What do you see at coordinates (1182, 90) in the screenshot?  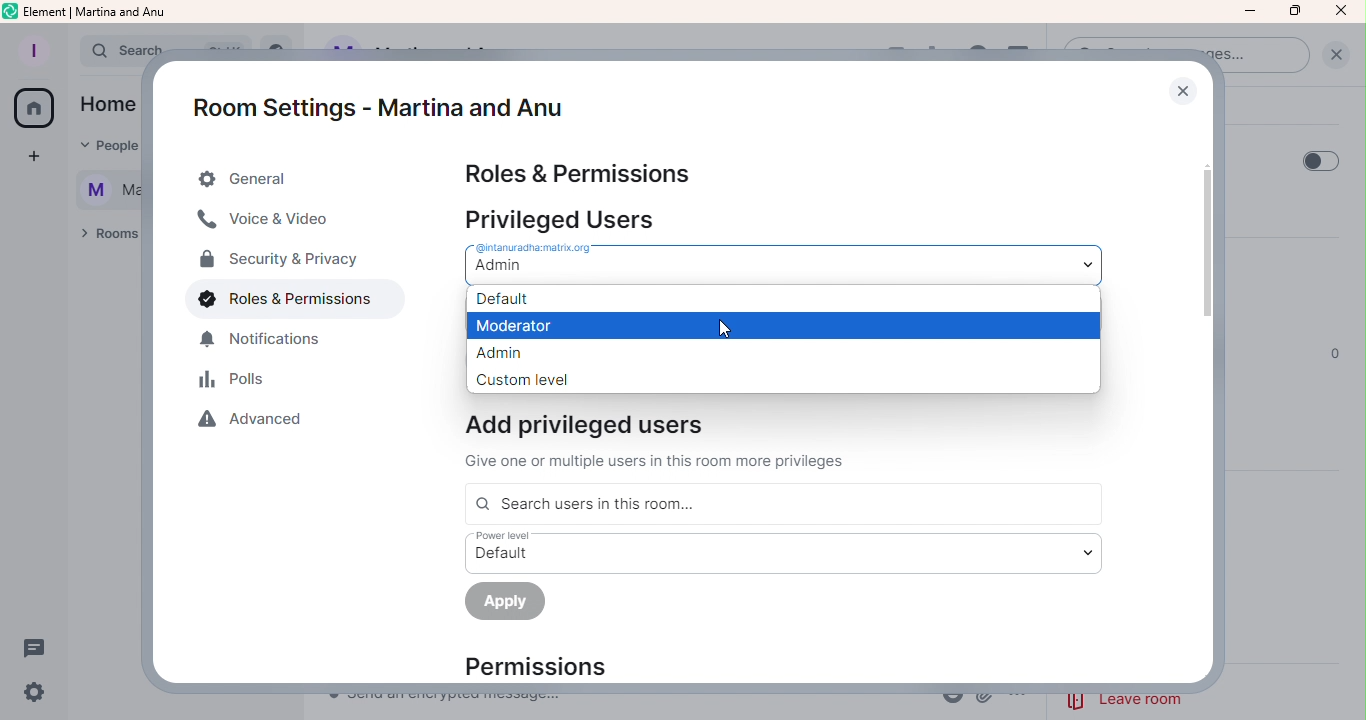 I see `Close` at bounding box center [1182, 90].